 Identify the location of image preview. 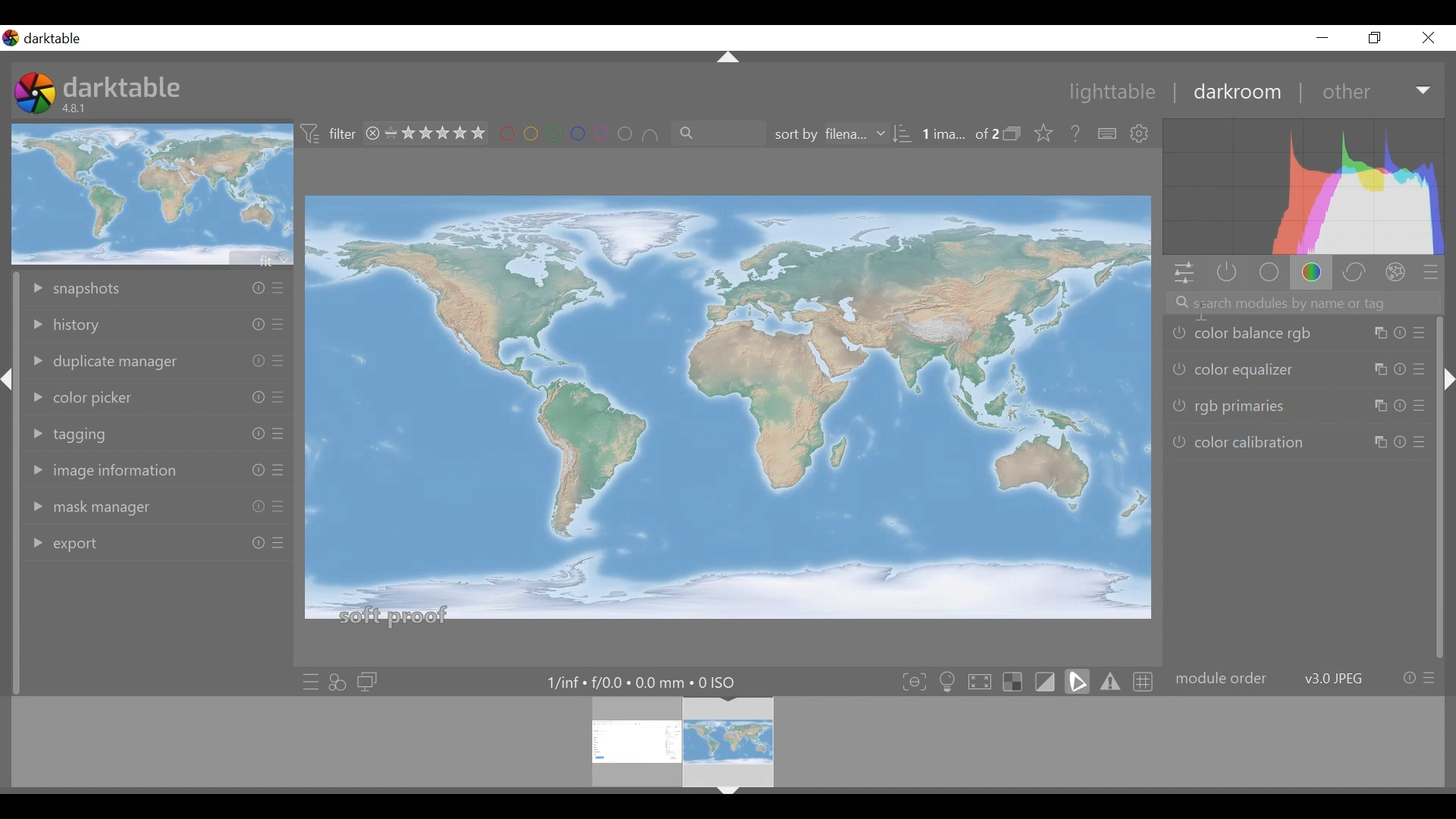
(154, 193).